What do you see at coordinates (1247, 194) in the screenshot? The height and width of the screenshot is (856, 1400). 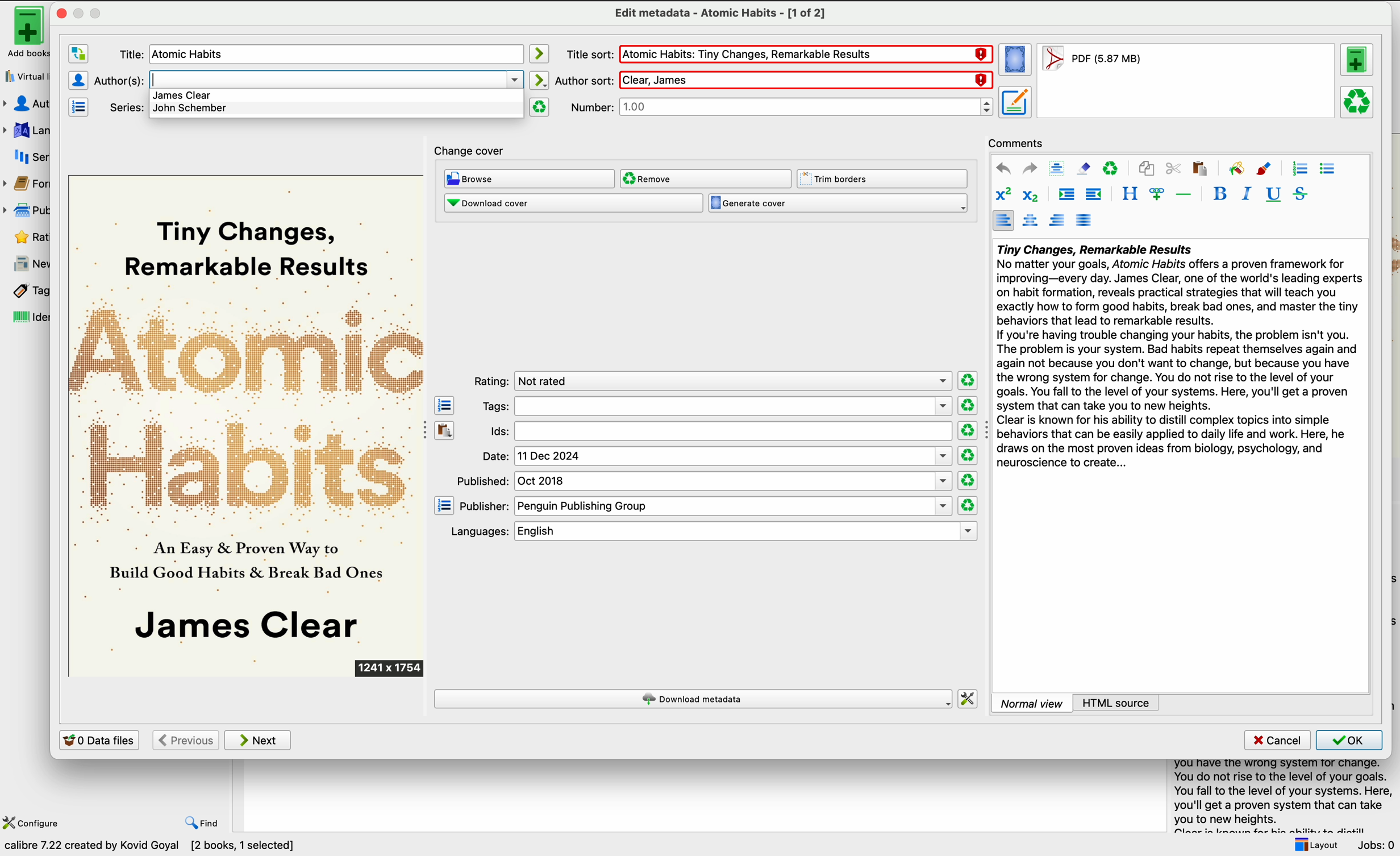 I see `italic` at bounding box center [1247, 194].